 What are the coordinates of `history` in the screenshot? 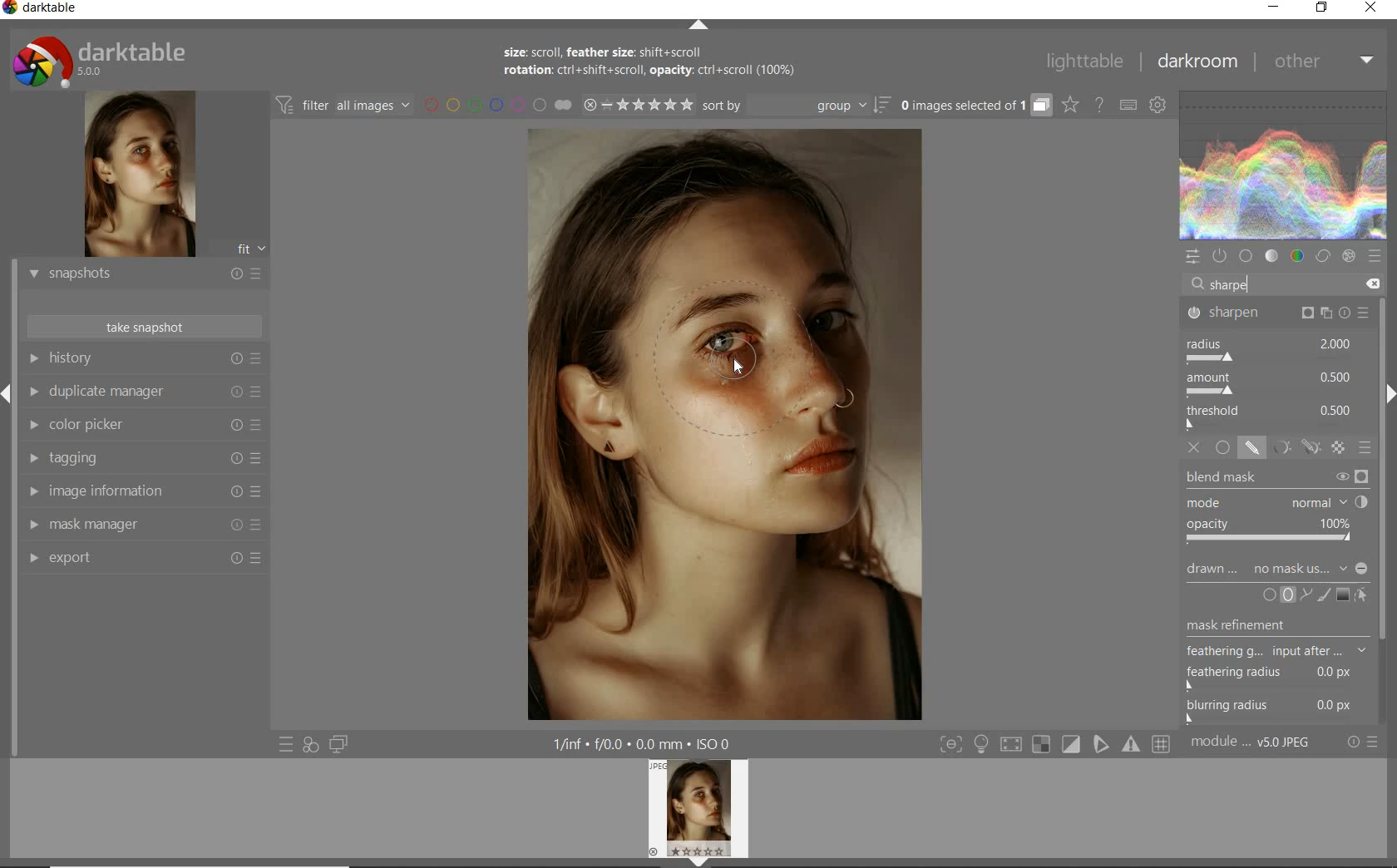 It's located at (144, 359).